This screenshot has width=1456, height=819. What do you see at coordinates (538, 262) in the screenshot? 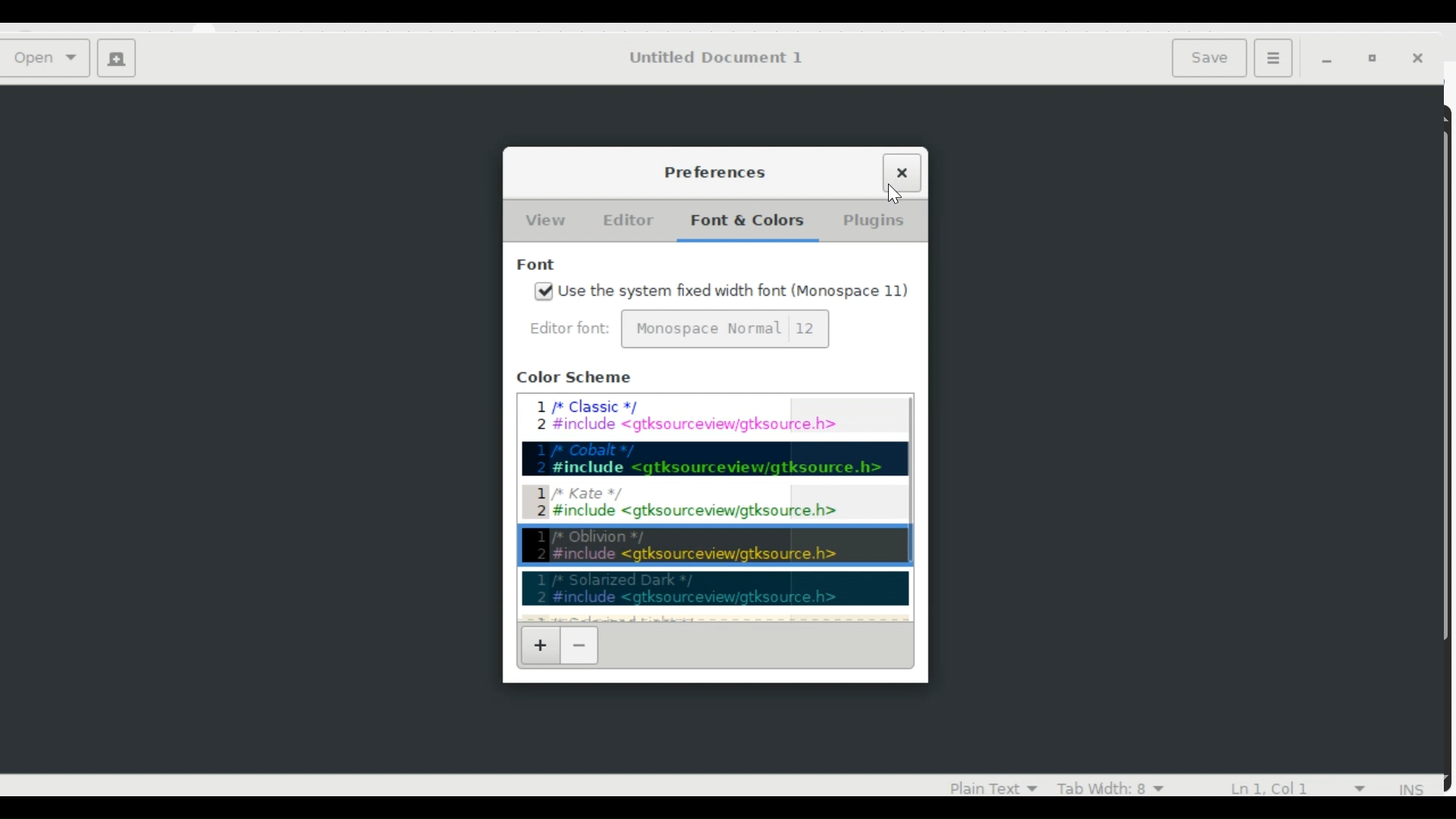
I see `Font` at bounding box center [538, 262].